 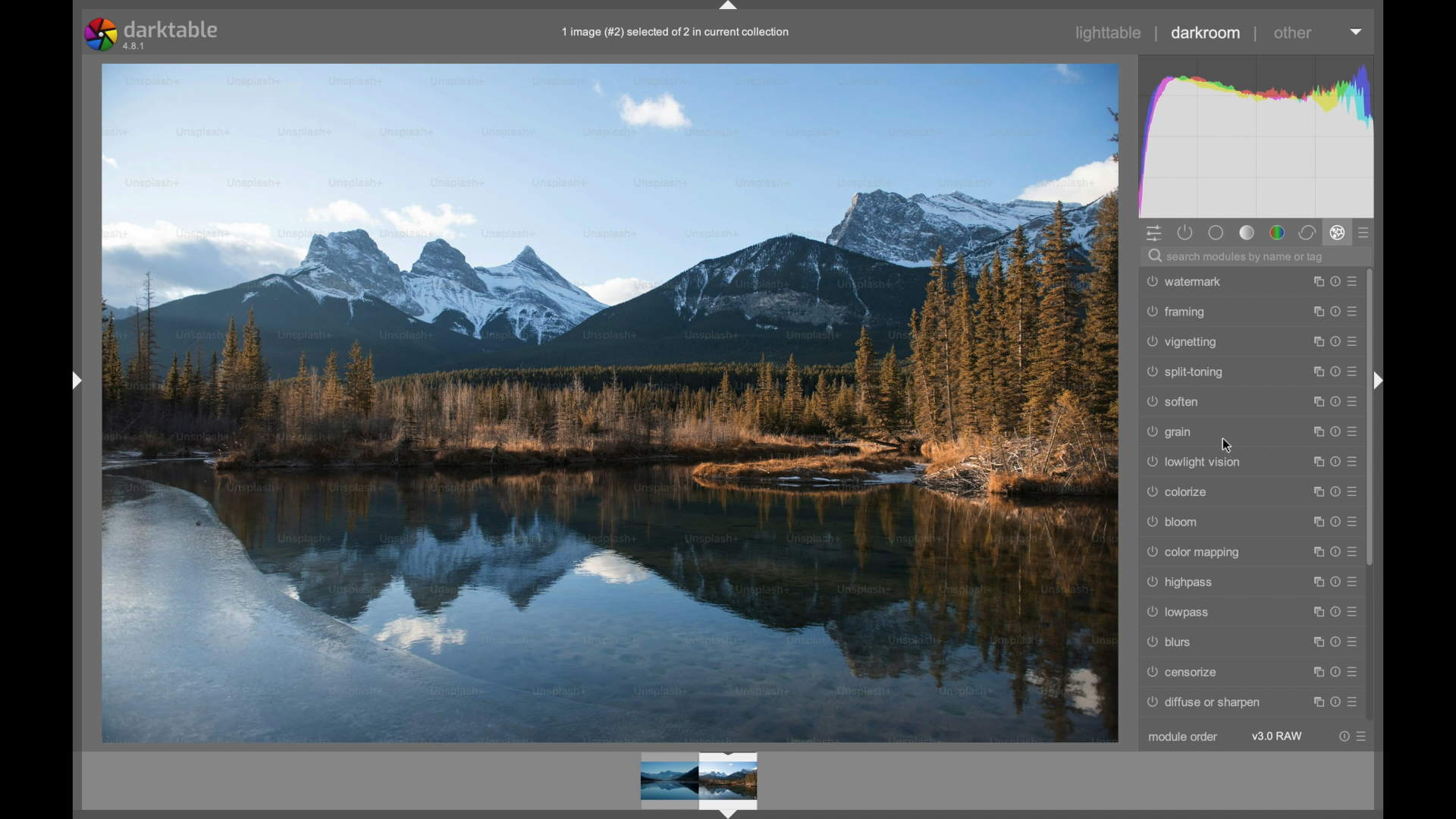 What do you see at coordinates (1186, 282) in the screenshot?
I see `watermark` at bounding box center [1186, 282].